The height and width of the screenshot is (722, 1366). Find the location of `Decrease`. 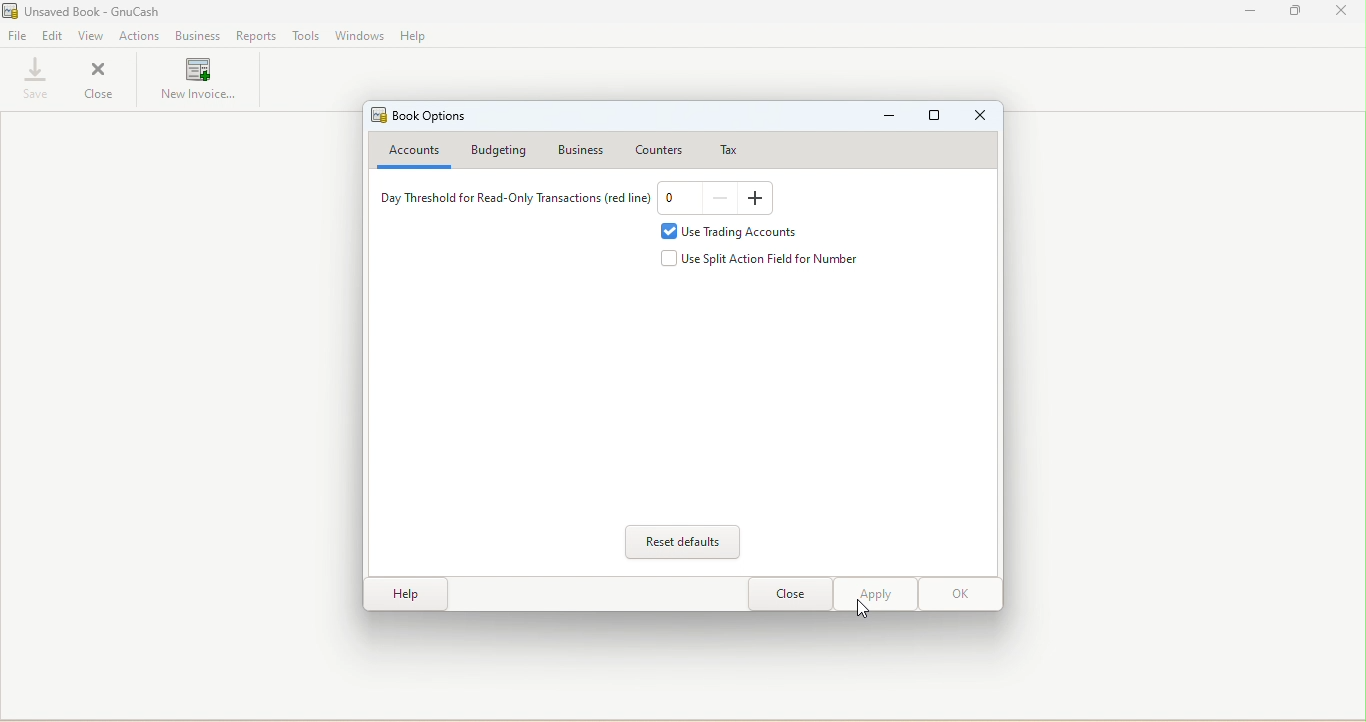

Decrease is located at coordinates (722, 199).